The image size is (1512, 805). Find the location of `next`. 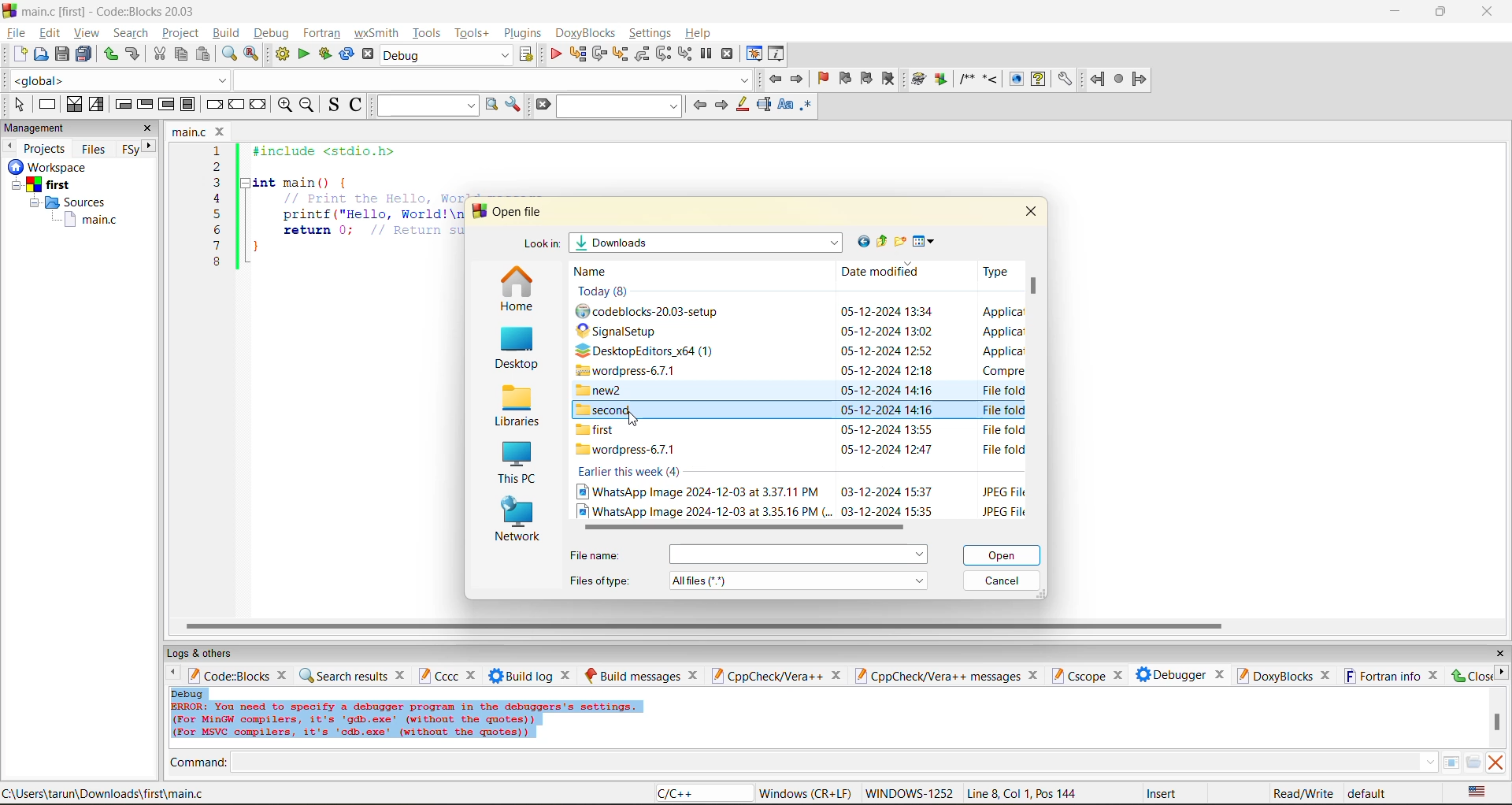

next is located at coordinates (721, 105).